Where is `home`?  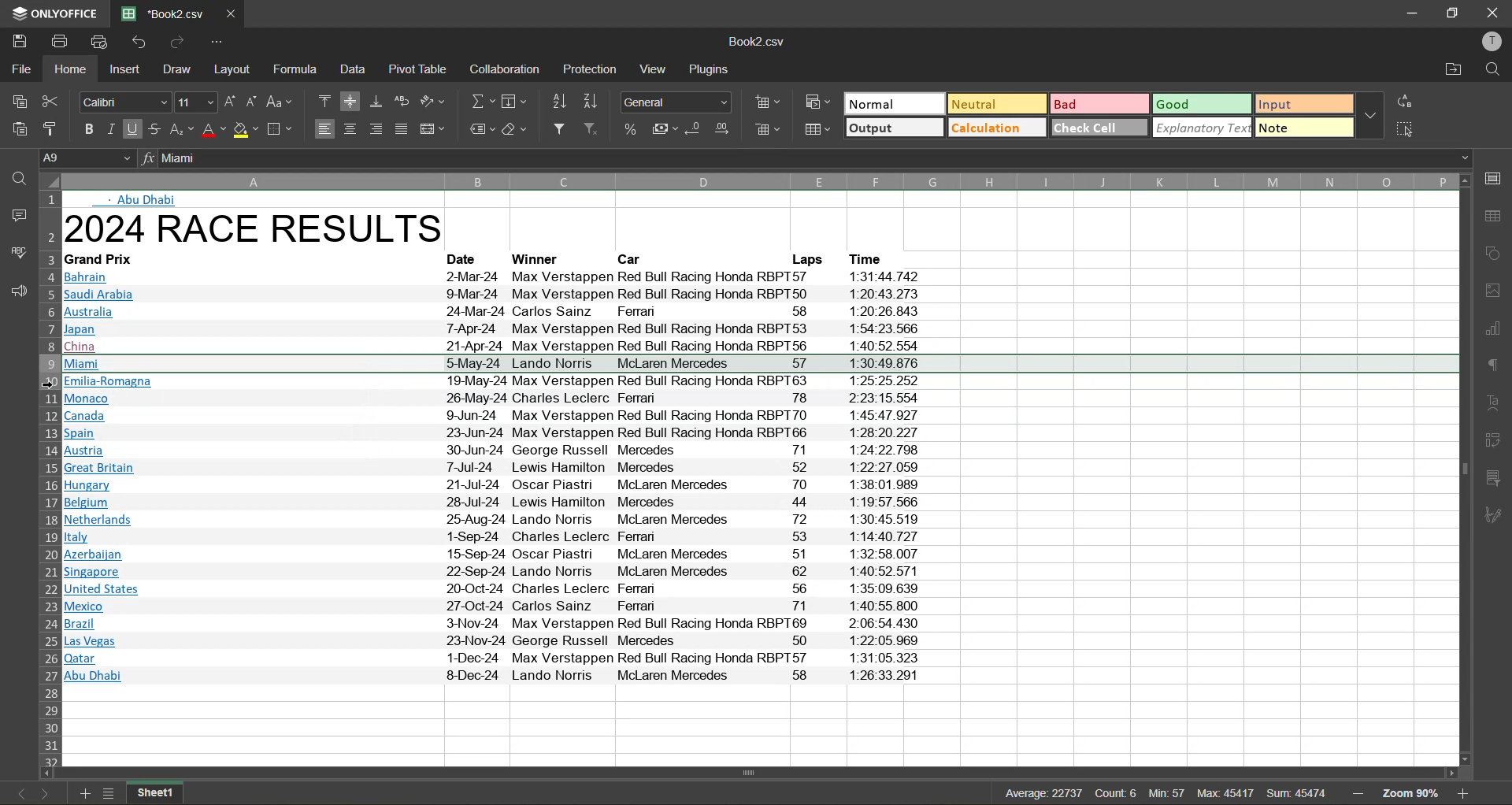 home is located at coordinates (70, 68).